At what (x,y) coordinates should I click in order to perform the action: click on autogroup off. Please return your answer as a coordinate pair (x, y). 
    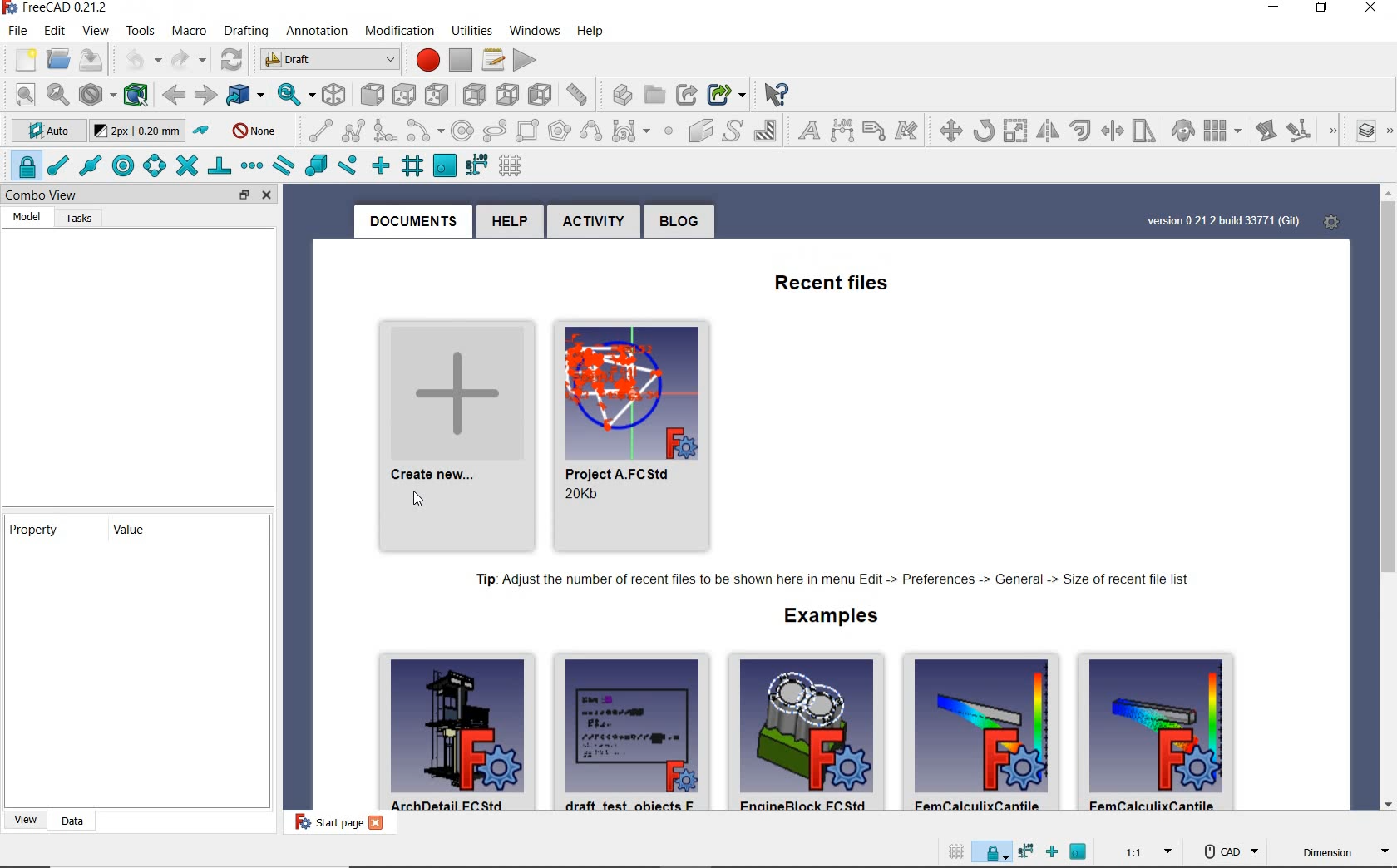
    Looking at the image, I should click on (255, 131).